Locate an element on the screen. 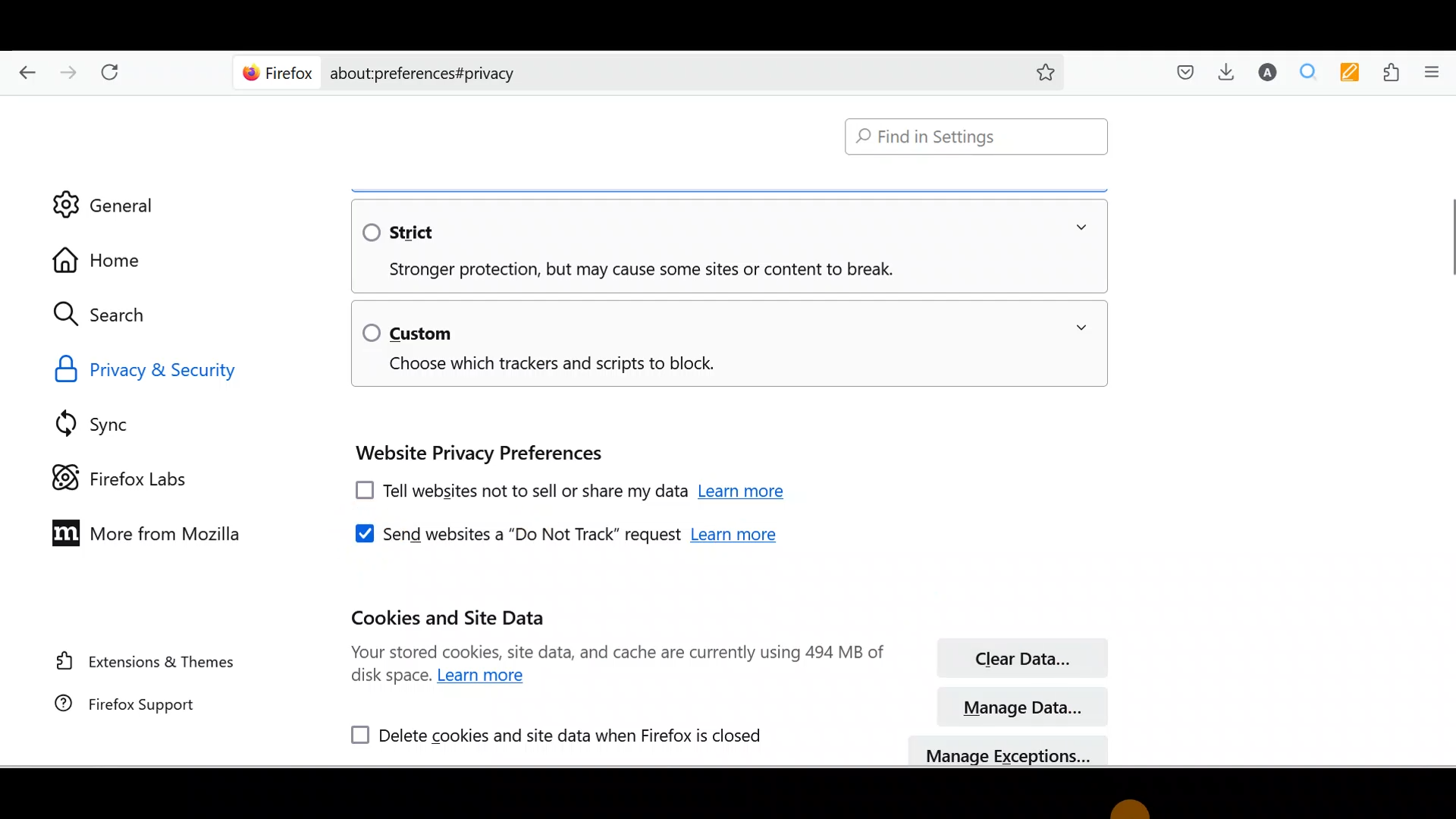 This screenshot has width=1456, height=819. Open application menu is located at coordinates (1436, 73).